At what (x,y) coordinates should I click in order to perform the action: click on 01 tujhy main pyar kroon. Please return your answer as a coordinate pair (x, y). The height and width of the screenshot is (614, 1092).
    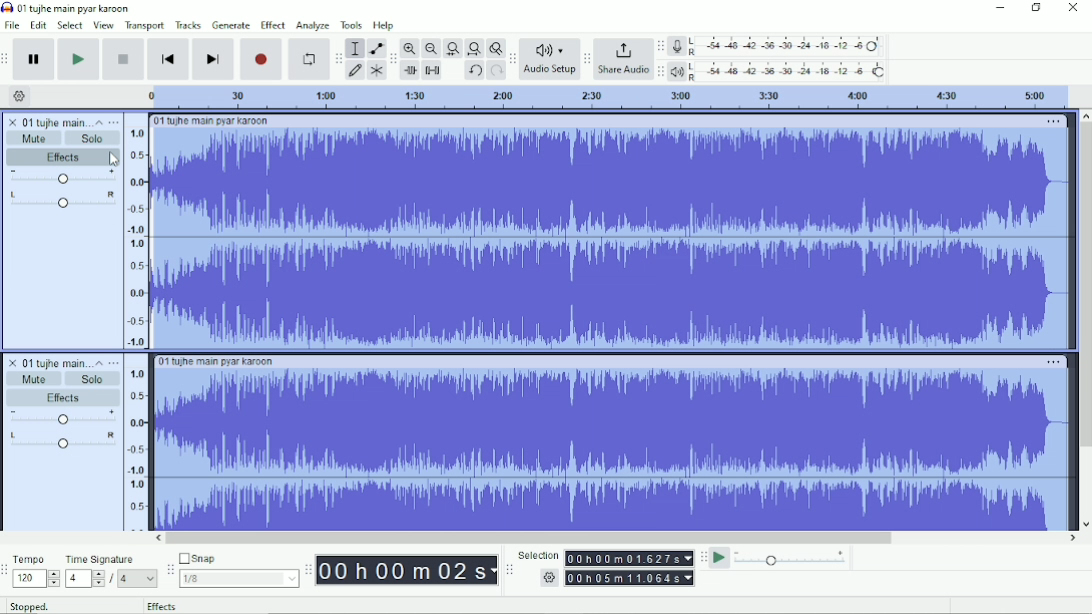
    Looking at the image, I should click on (211, 121).